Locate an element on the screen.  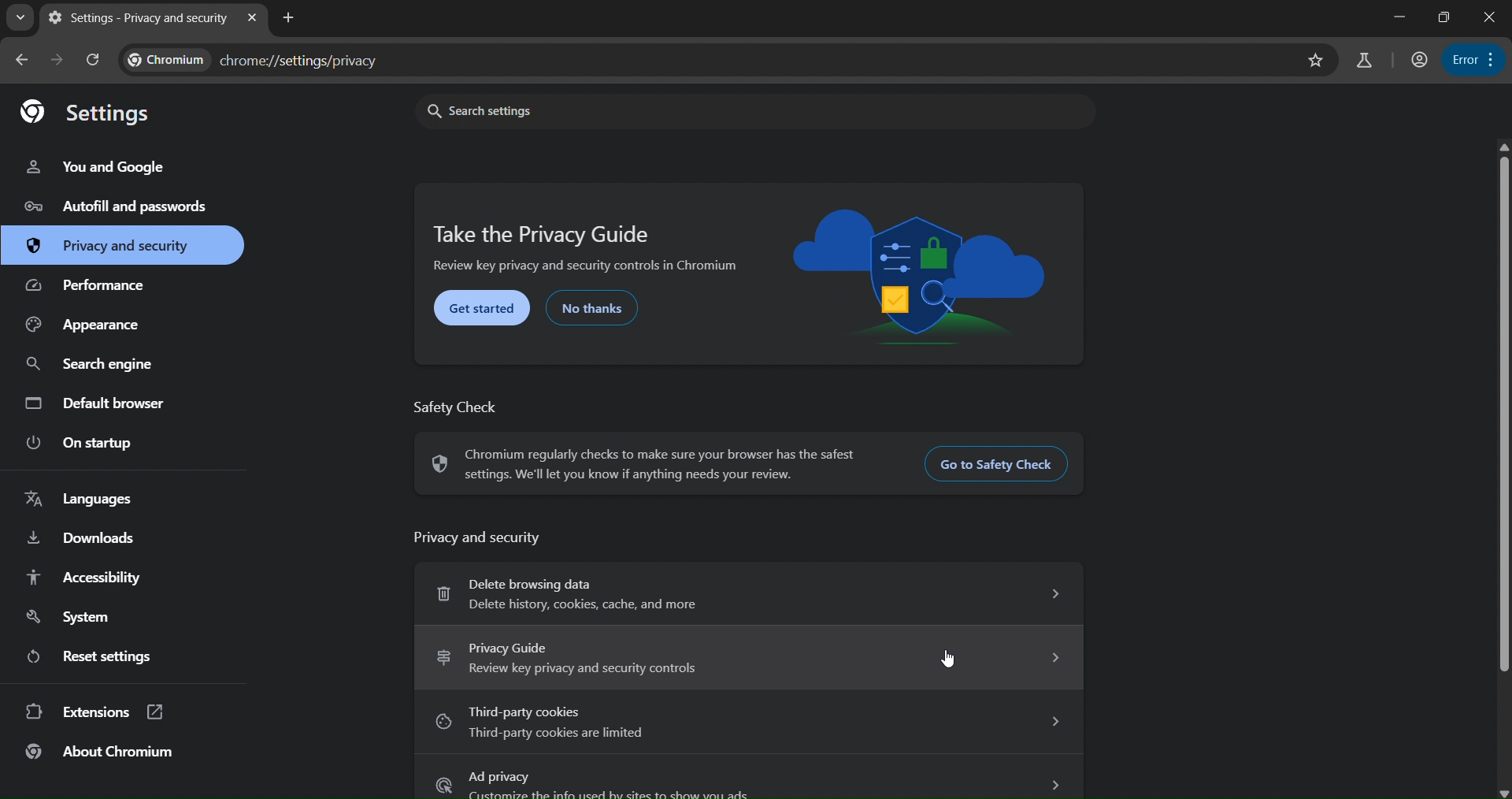
text is located at coordinates (460, 405).